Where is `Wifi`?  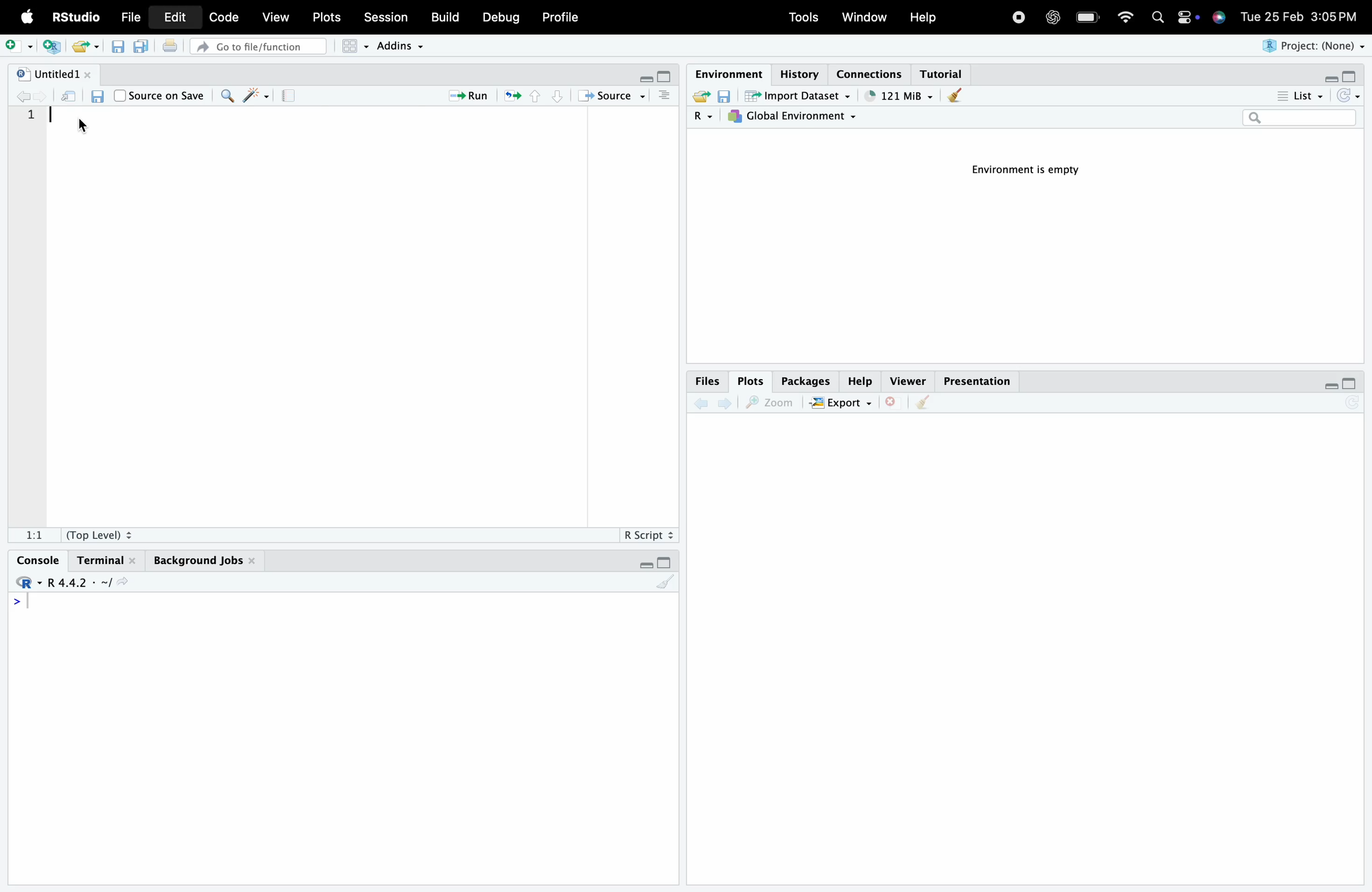
Wifi is located at coordinates (1124, 16).